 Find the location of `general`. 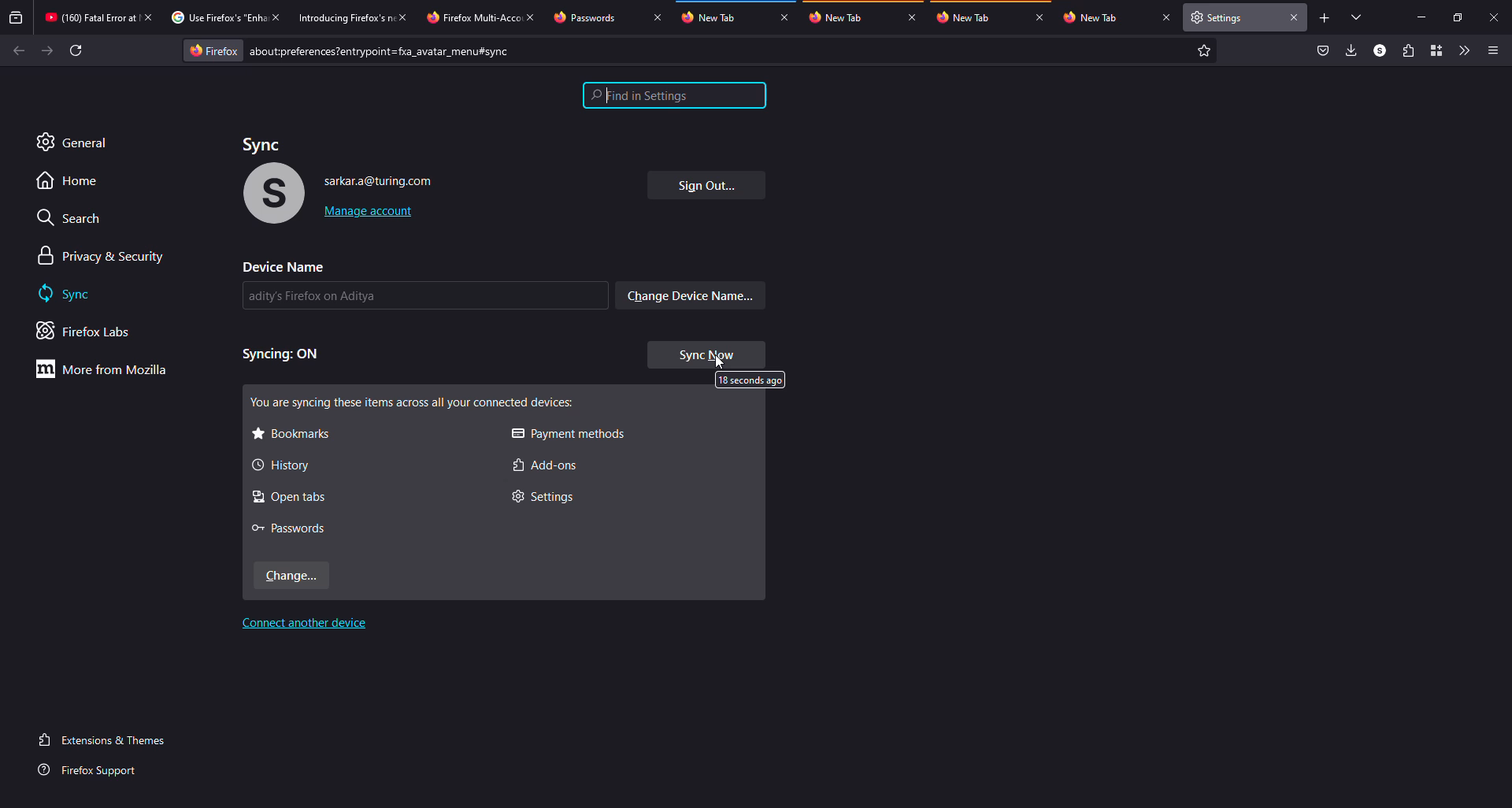

general is located at coordinates (73, 142).